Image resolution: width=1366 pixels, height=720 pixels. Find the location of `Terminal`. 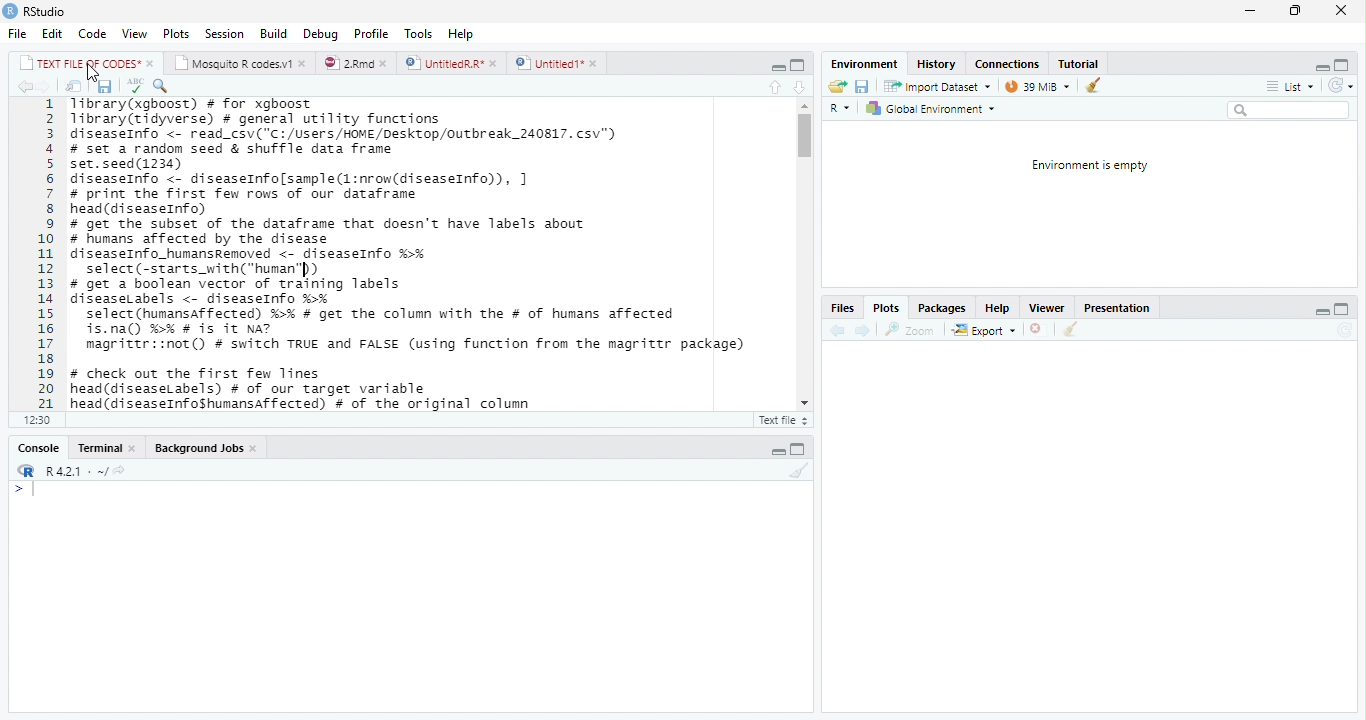

Terminal is located at coordinates (105, 449).